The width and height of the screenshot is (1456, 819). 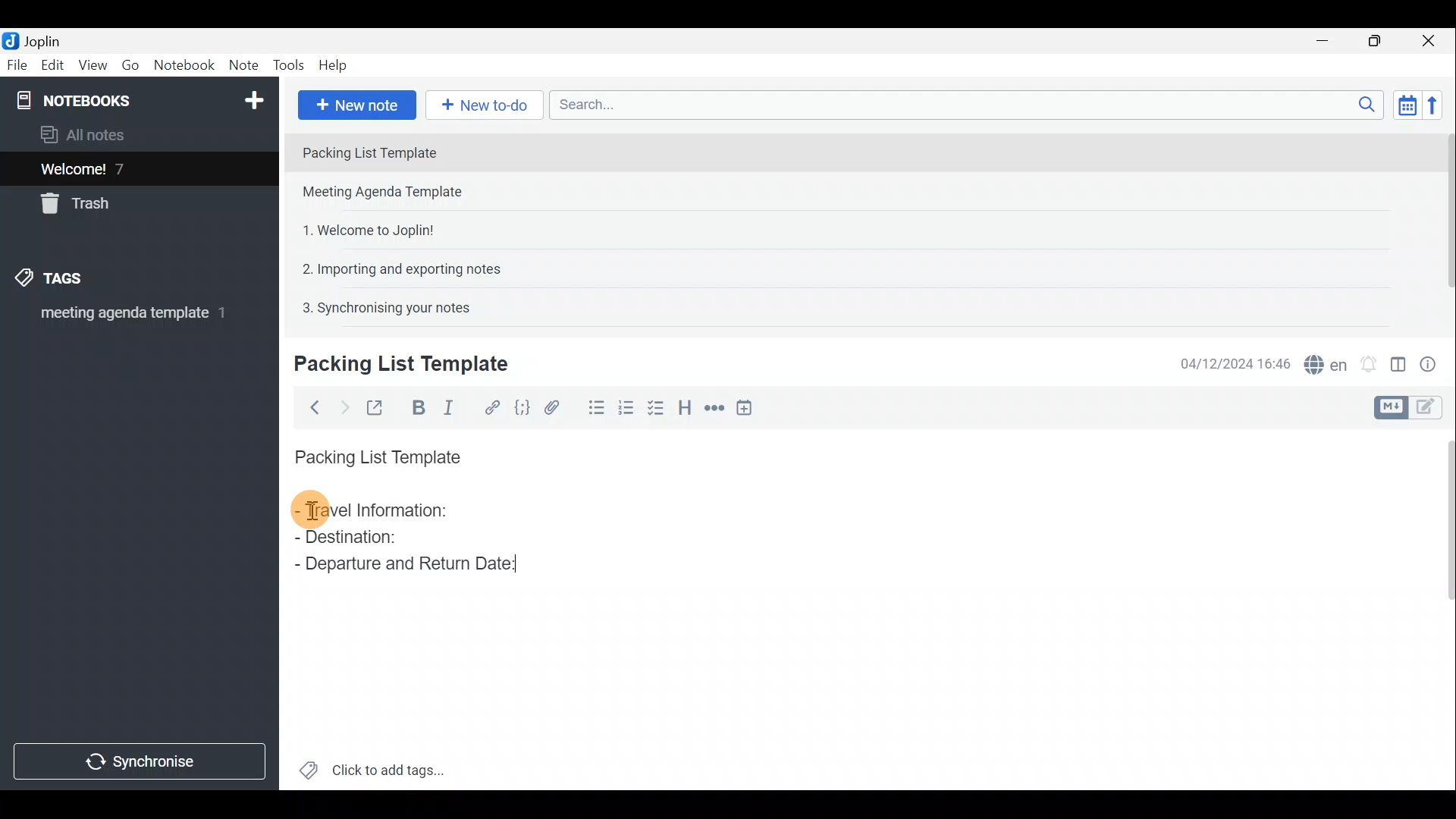 I want to click on Help, so click(x=335, y=67).